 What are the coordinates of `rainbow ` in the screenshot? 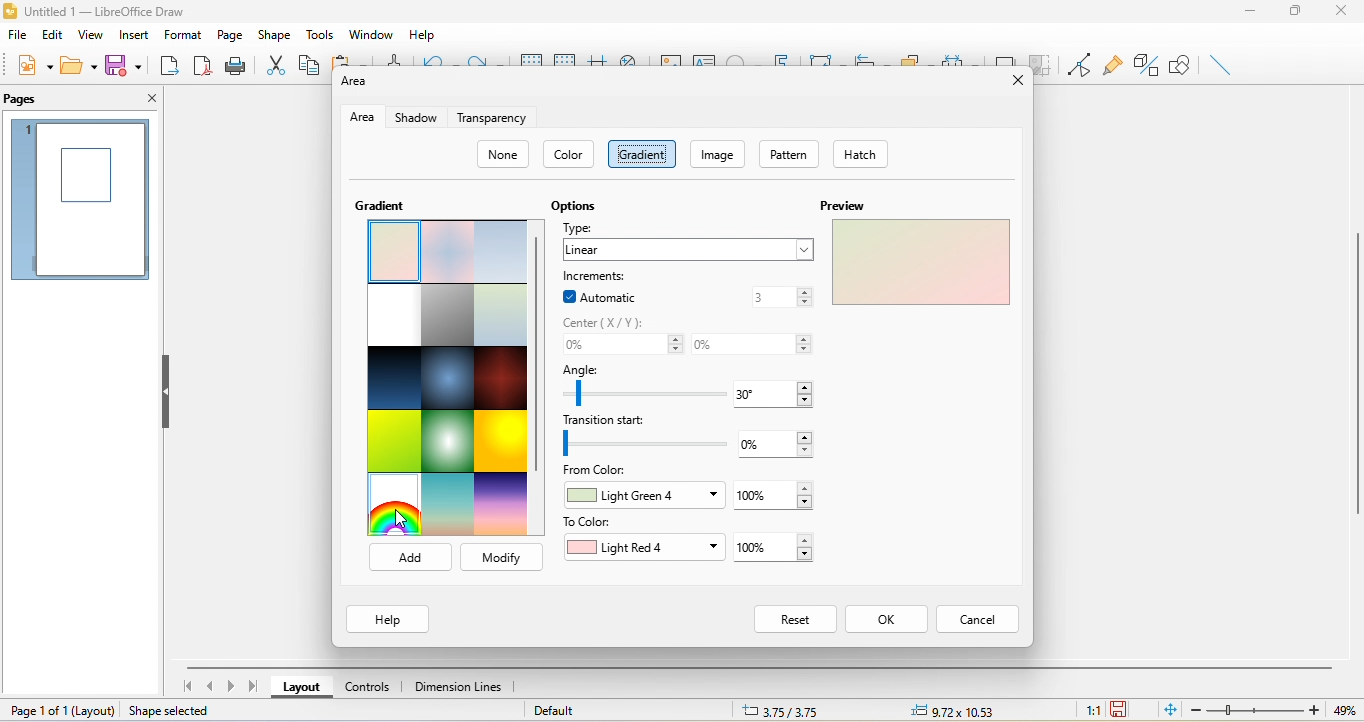 It's located at (397, 507).